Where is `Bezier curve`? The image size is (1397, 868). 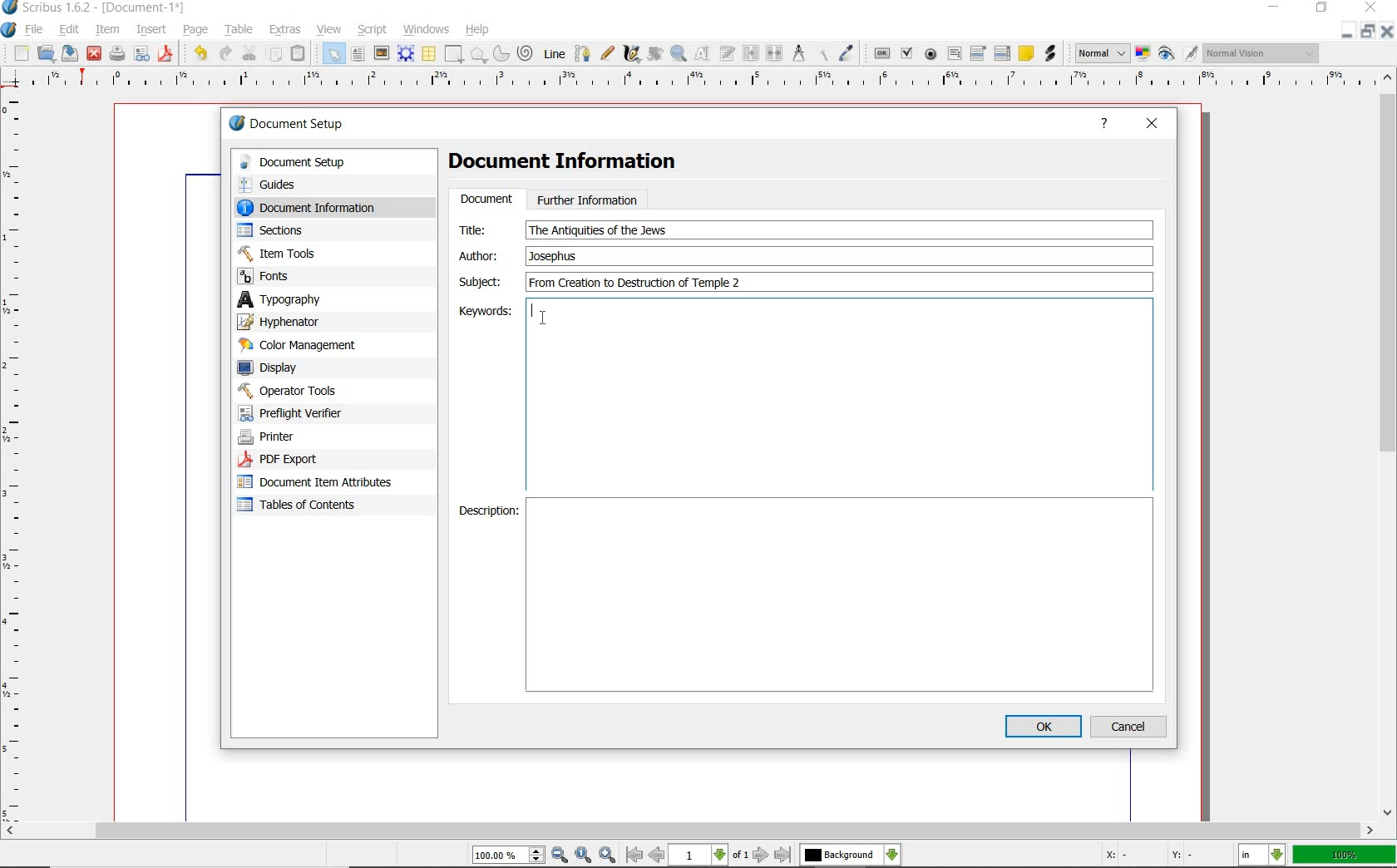 Bezier curve is located at coordinates (582, 53).